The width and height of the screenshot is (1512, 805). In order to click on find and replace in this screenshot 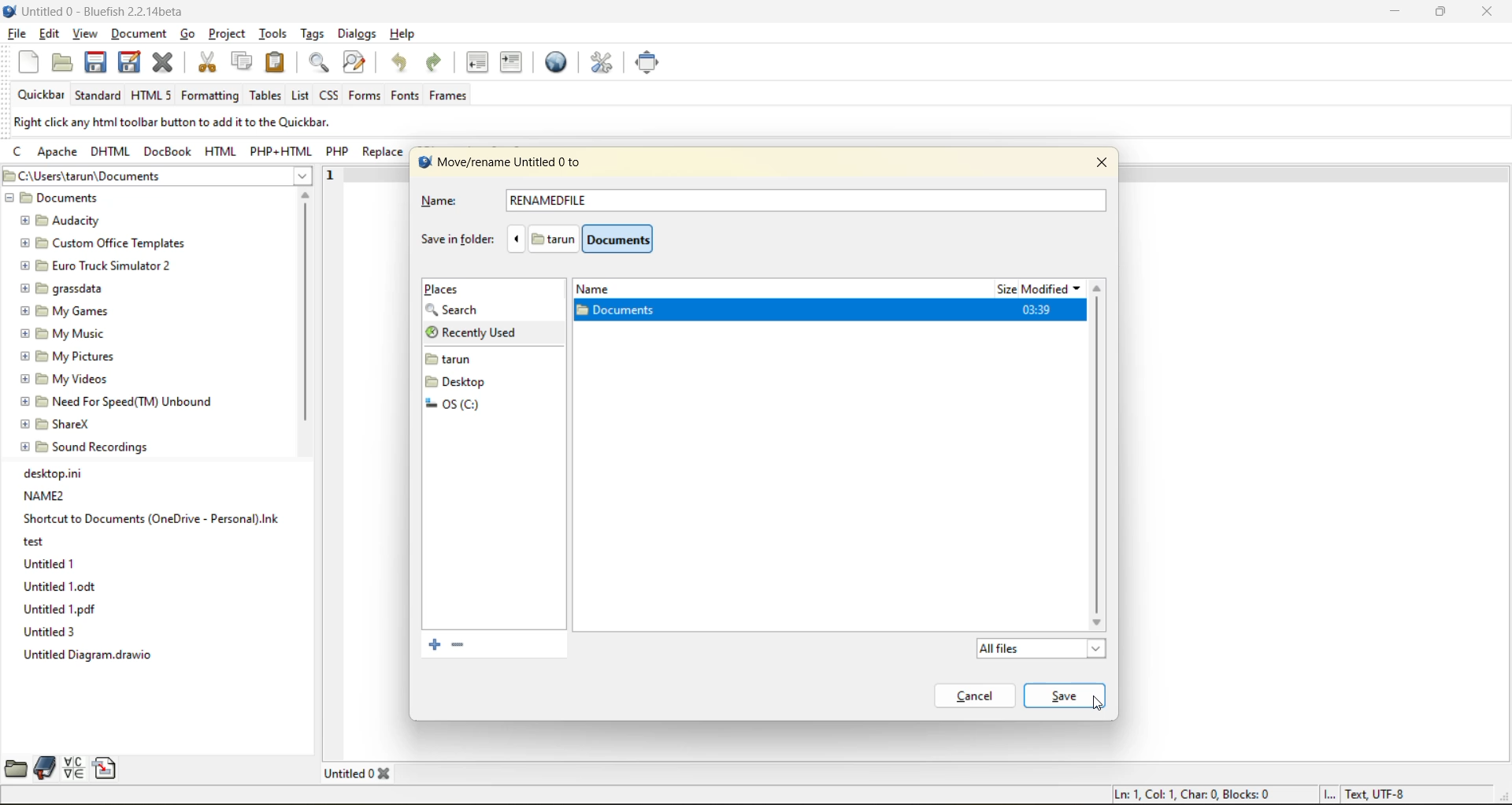, I will do `click(355, 63)`.